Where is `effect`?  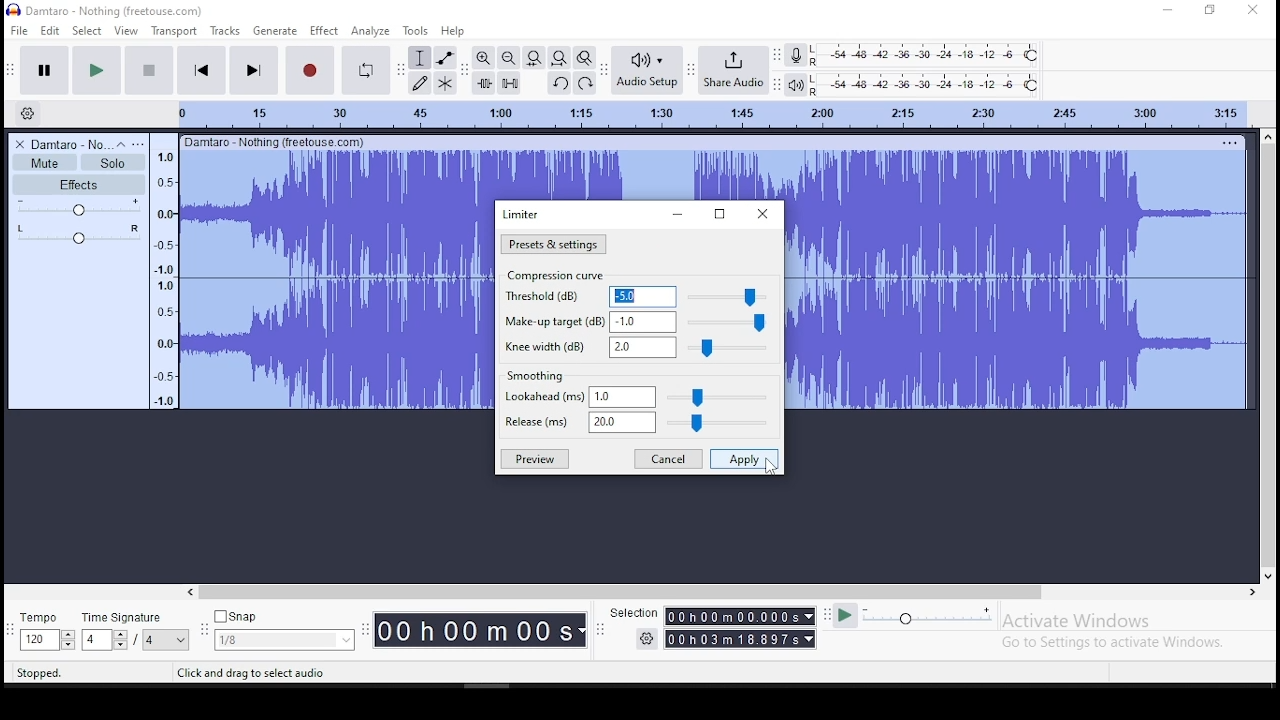 effect is located at coordinates (324, 30).